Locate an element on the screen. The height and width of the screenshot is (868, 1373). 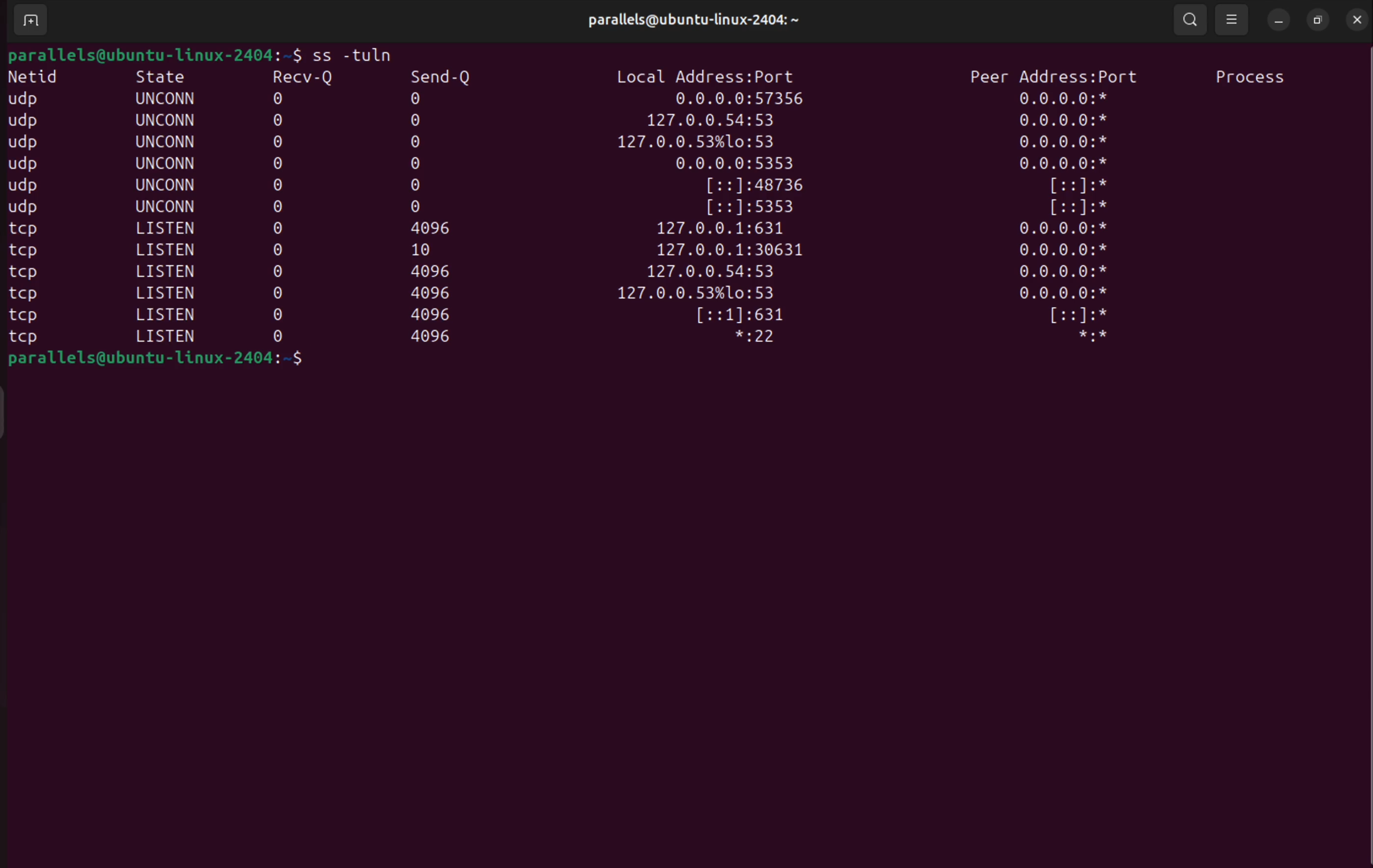
listen is located at coordinates (168, 292).